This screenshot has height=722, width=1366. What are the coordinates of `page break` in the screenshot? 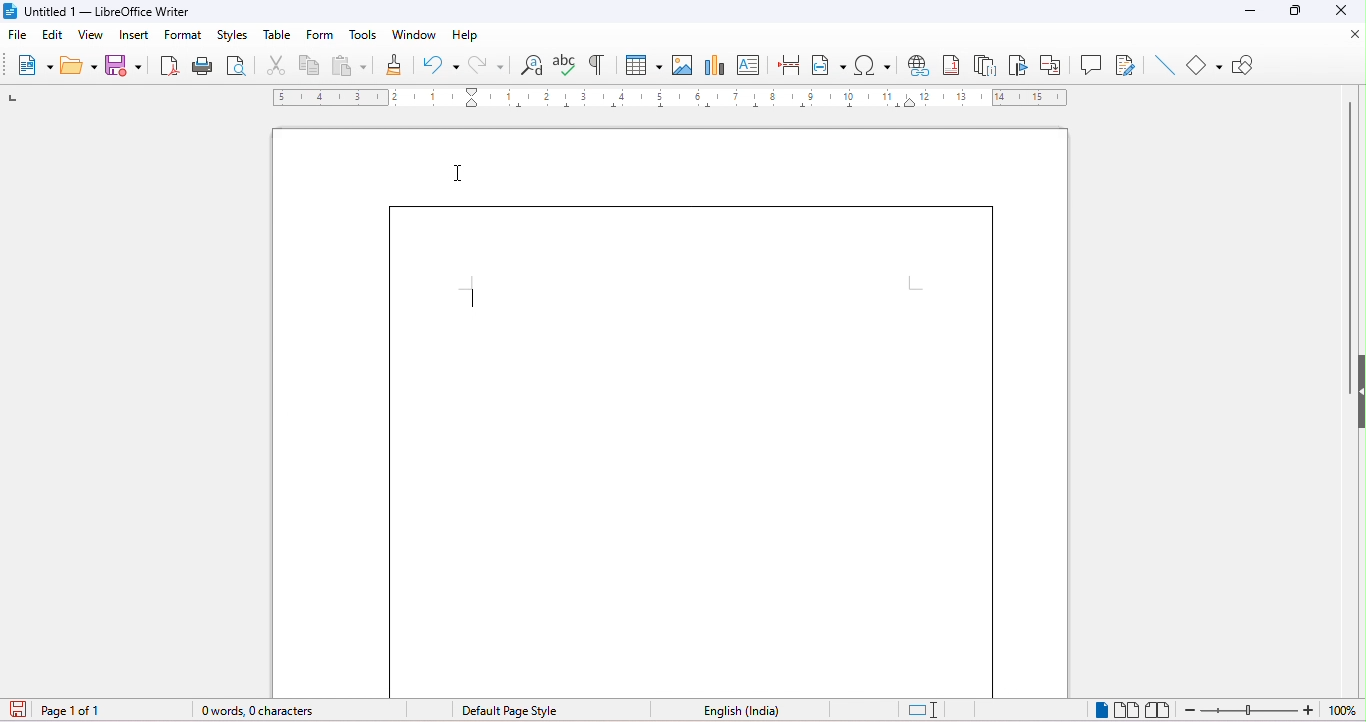 It's located at (788, 62).